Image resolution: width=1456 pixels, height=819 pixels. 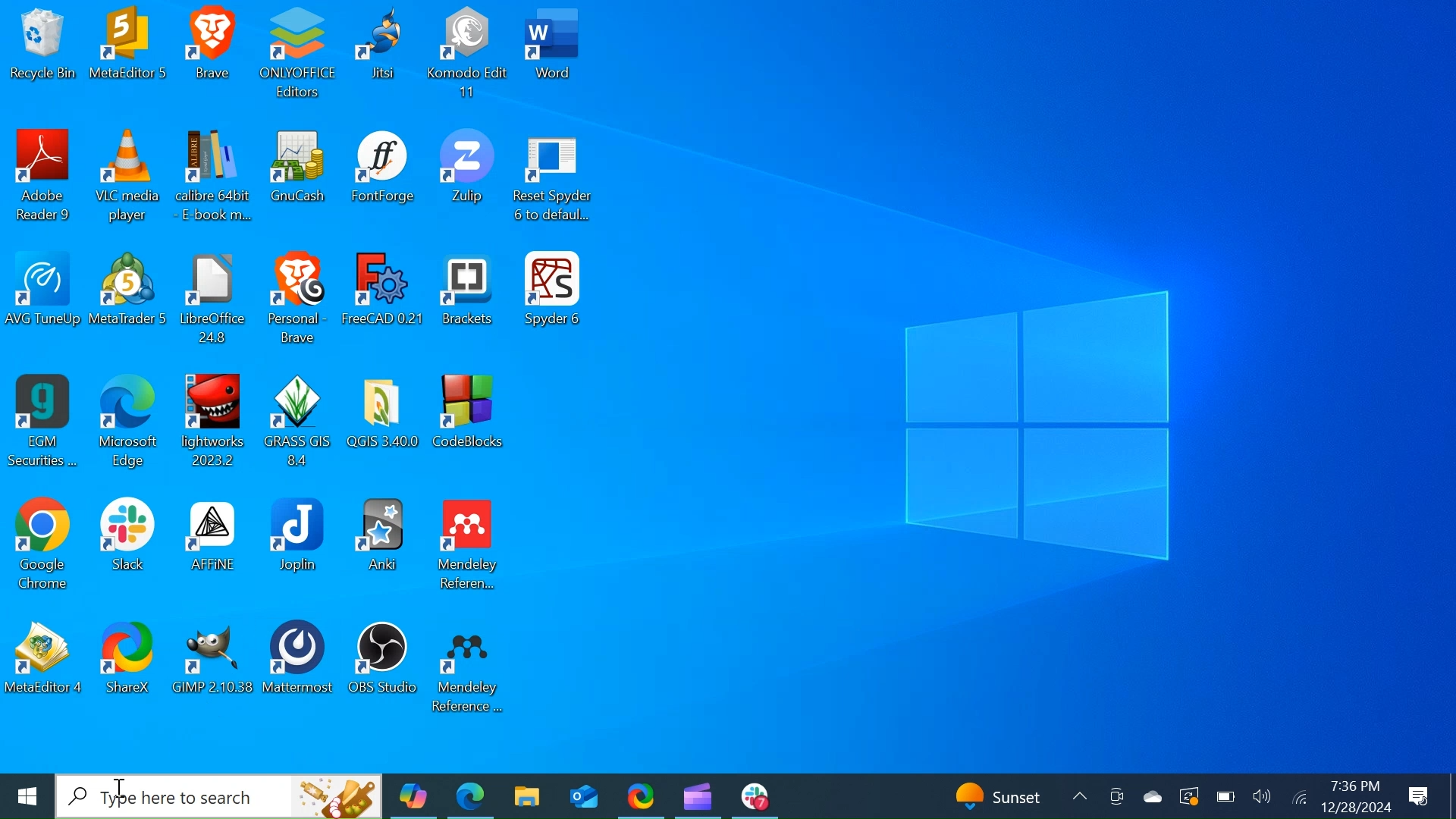 What do you see at coordinates (210, 544) in the screenshot?
I see `Affine Desktop Icon` at bounding box center [210, 544].